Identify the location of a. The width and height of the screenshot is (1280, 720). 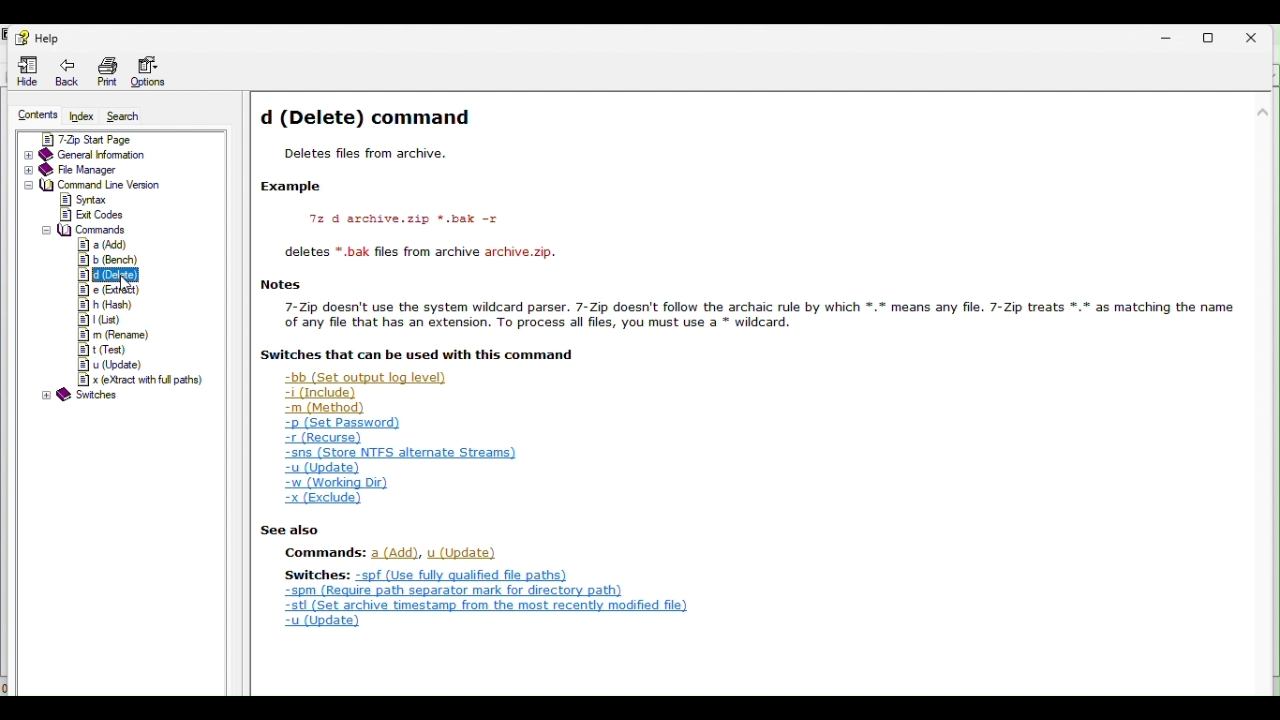
(111, 245).